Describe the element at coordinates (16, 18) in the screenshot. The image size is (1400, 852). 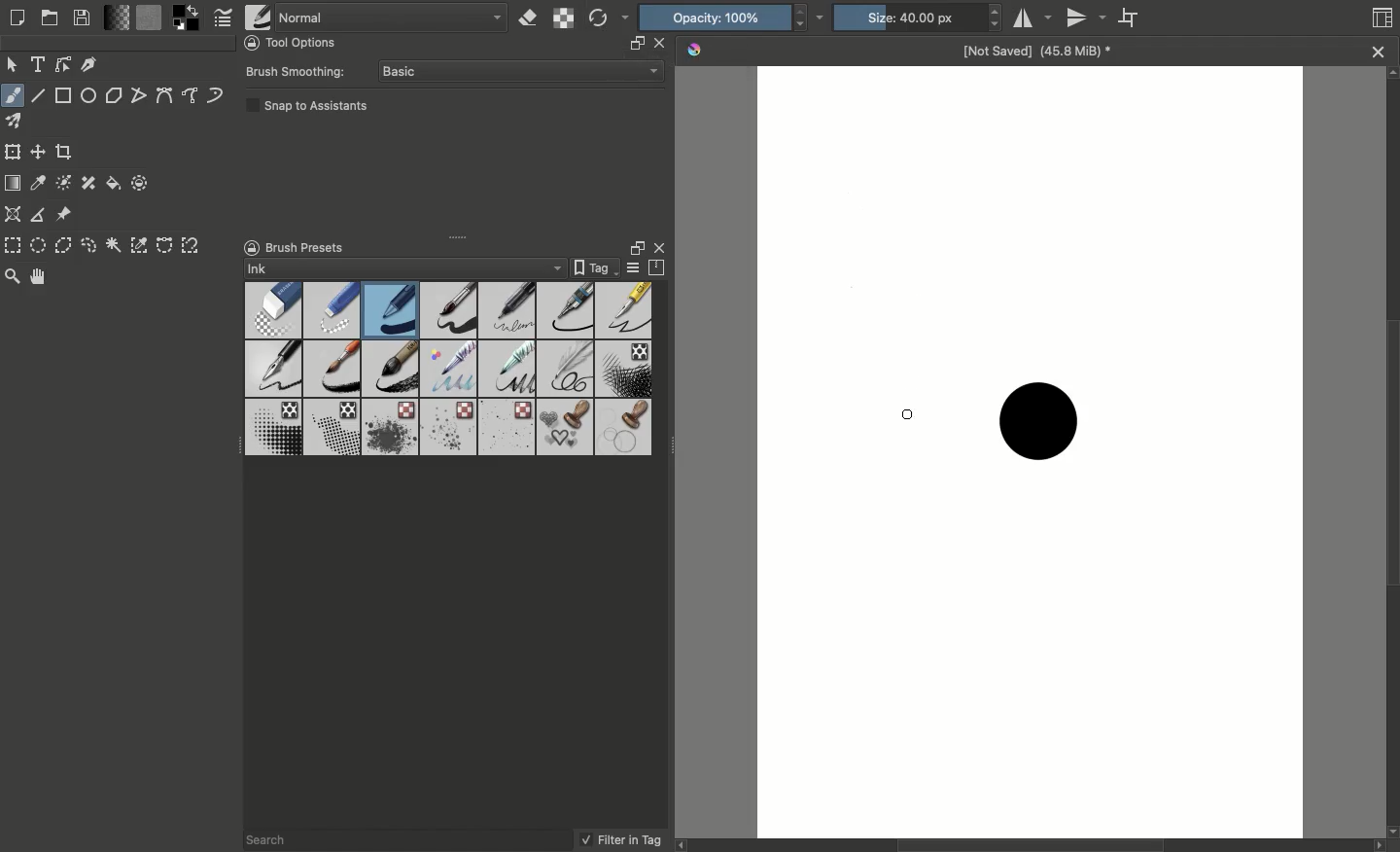
I see `Create` at that location.